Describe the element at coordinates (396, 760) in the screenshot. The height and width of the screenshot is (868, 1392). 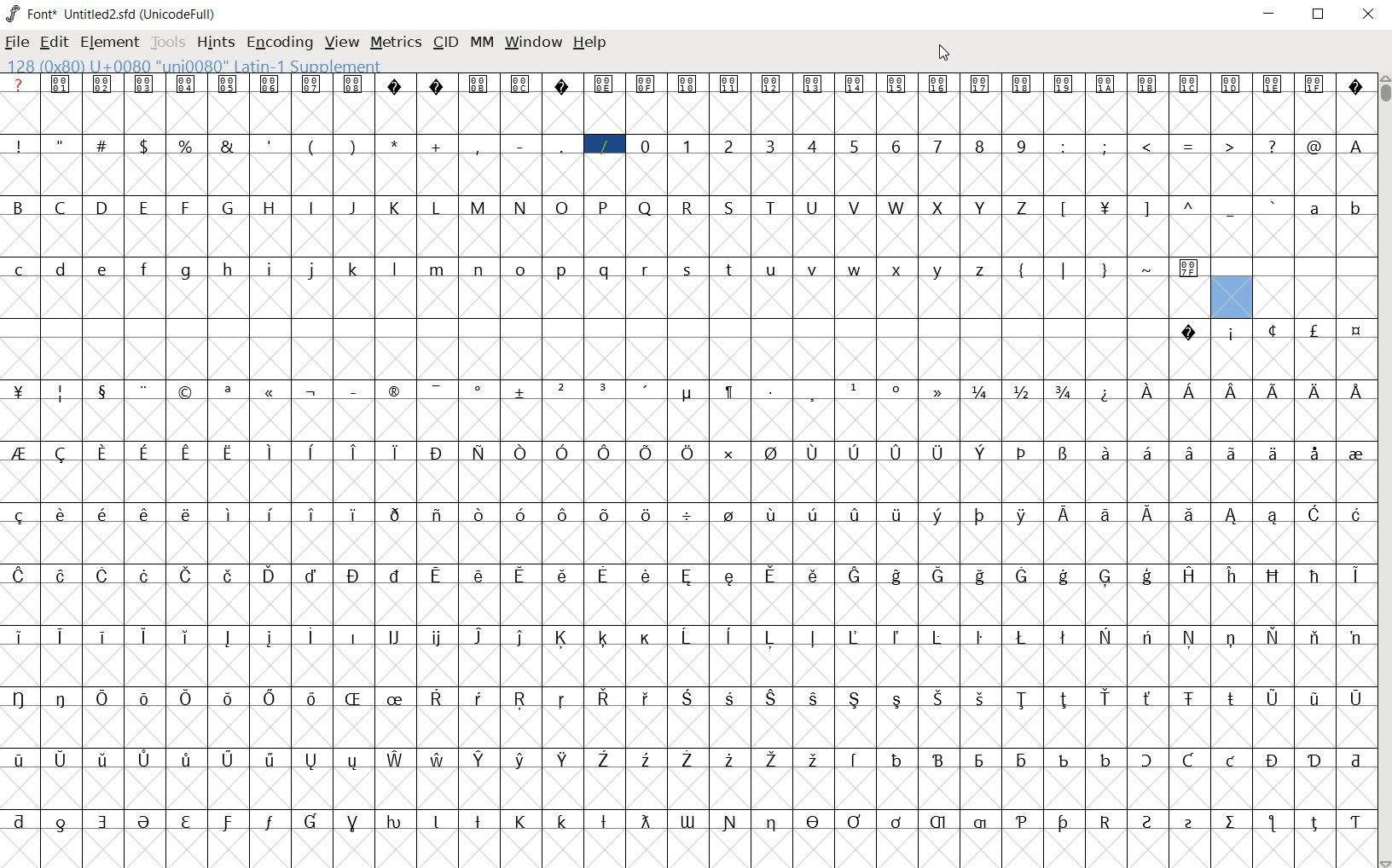
I see `glyph` at that location.